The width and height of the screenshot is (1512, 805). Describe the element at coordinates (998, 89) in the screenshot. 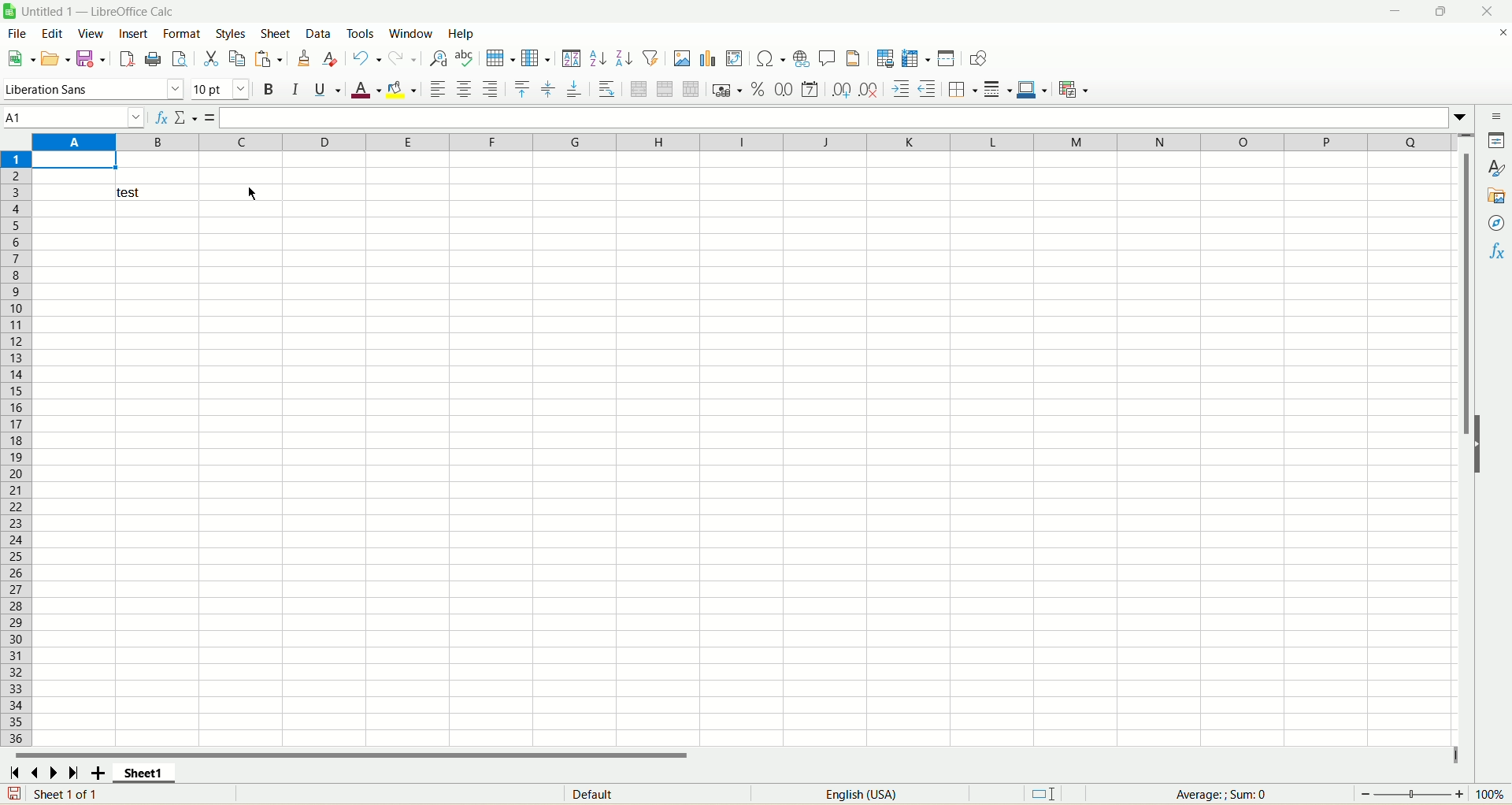

I see `border style` at that location.